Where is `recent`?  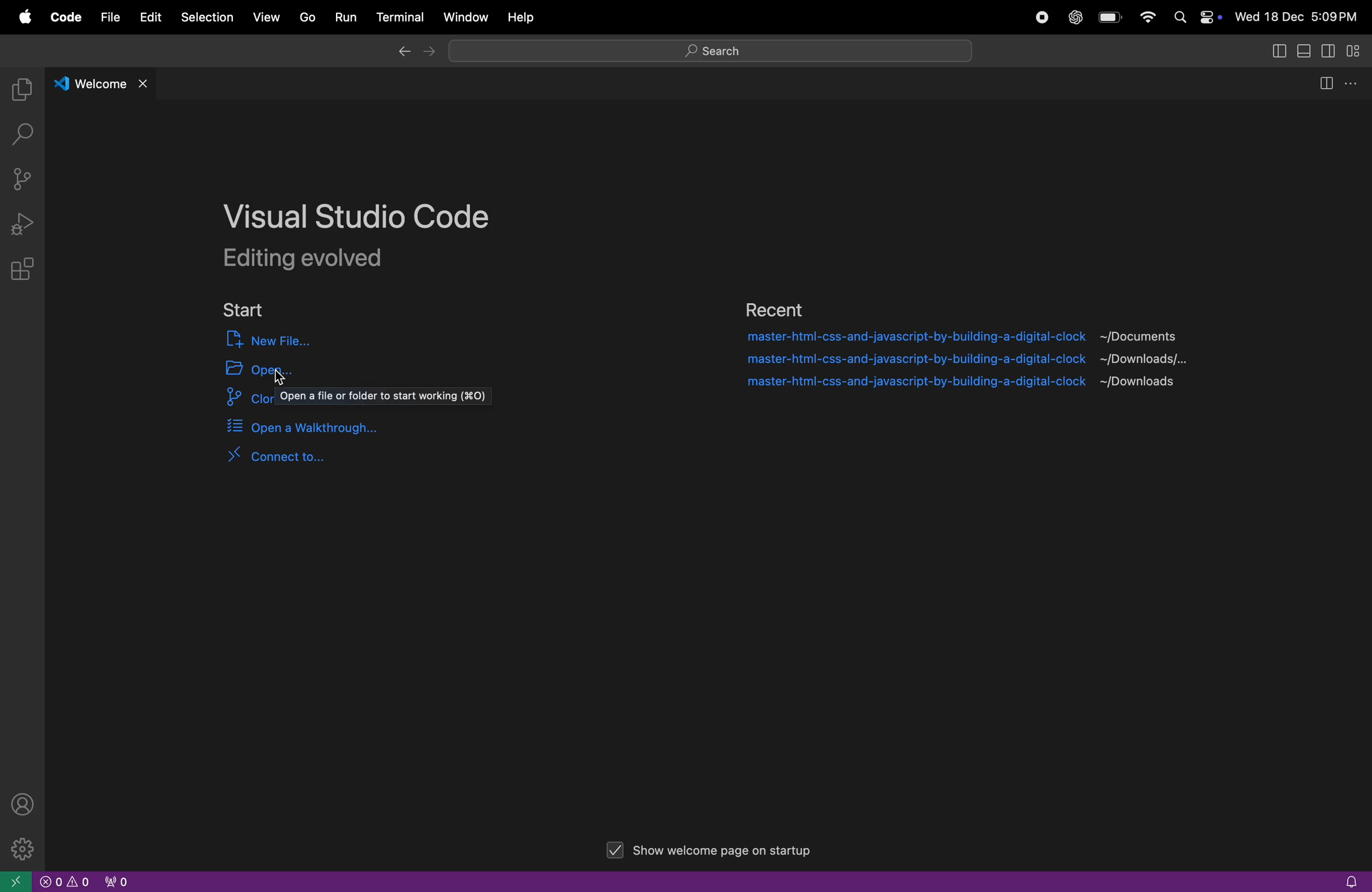
recent is located at coordinates (779, 307).